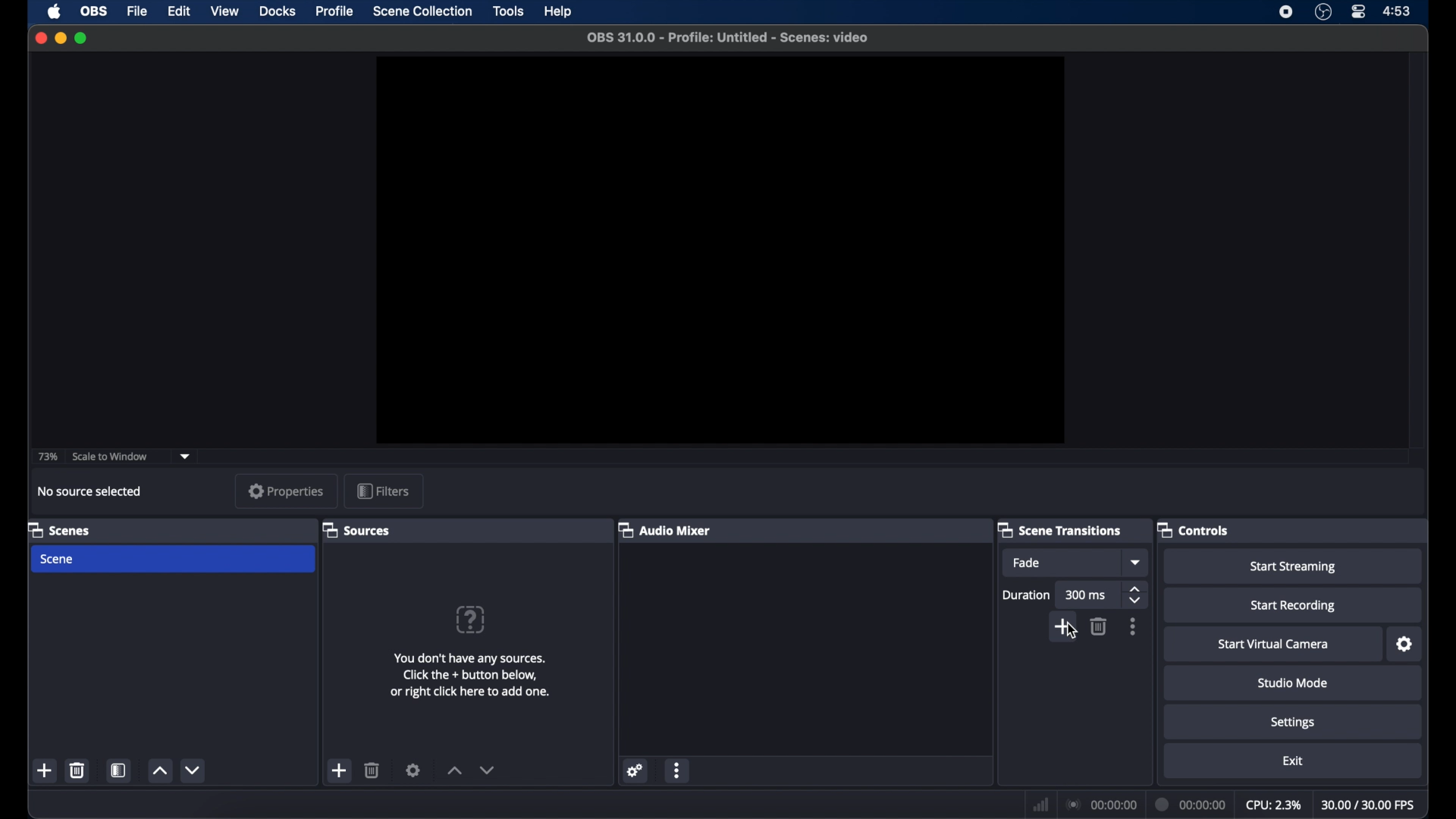 The image size is (1456, 819). What do you see at coordinates (1027, 595) in the screenshot?
I see `duration` at bounding box center [1027, 595].